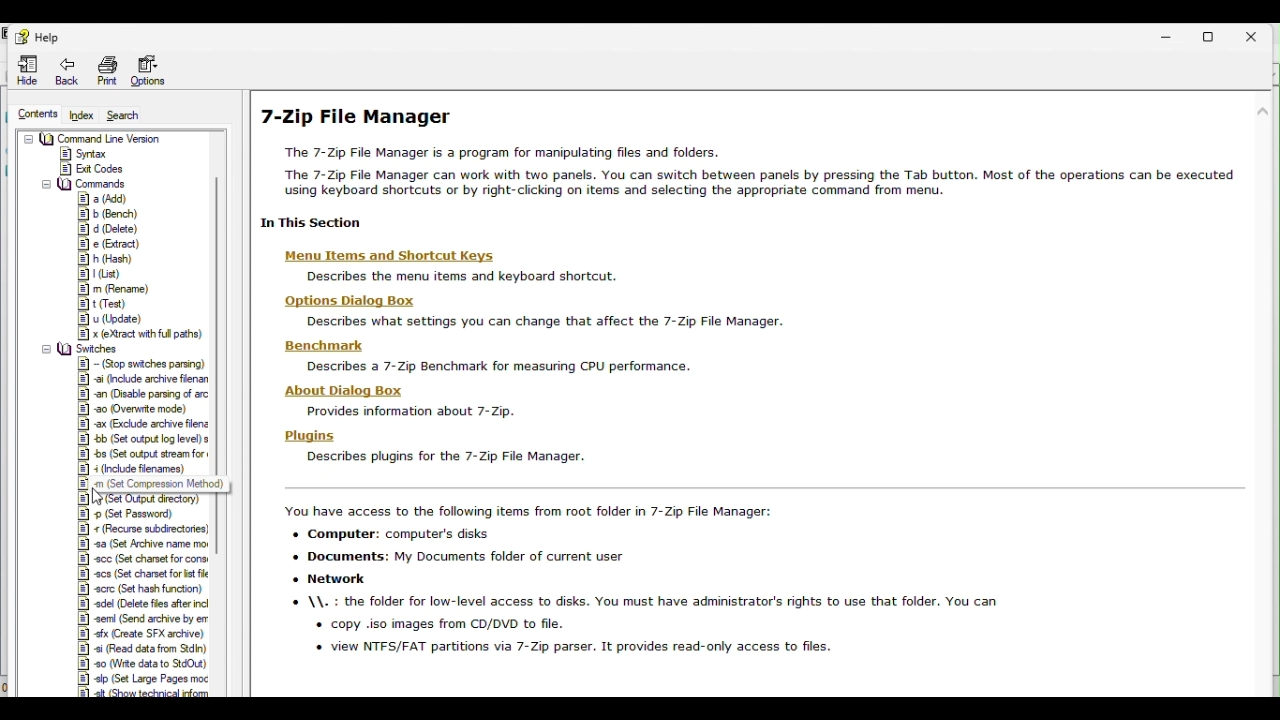 The height and width of the screenshot is (720, 1280). What do you see at coordinates (146, 484) in the screenshot?
I see `set compression method` at bounding box center [146, 484].